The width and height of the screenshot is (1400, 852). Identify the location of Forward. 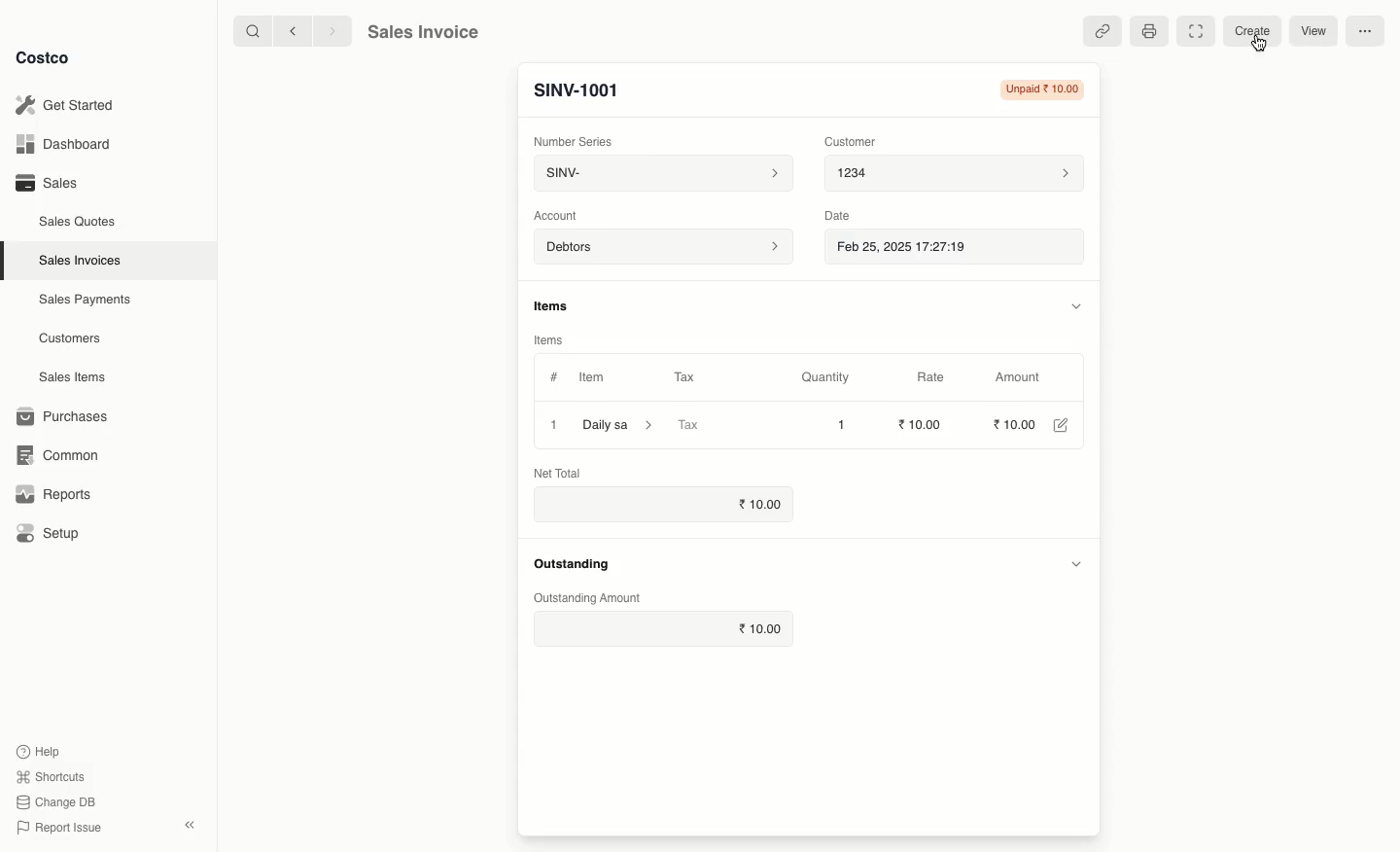
(332, 32).